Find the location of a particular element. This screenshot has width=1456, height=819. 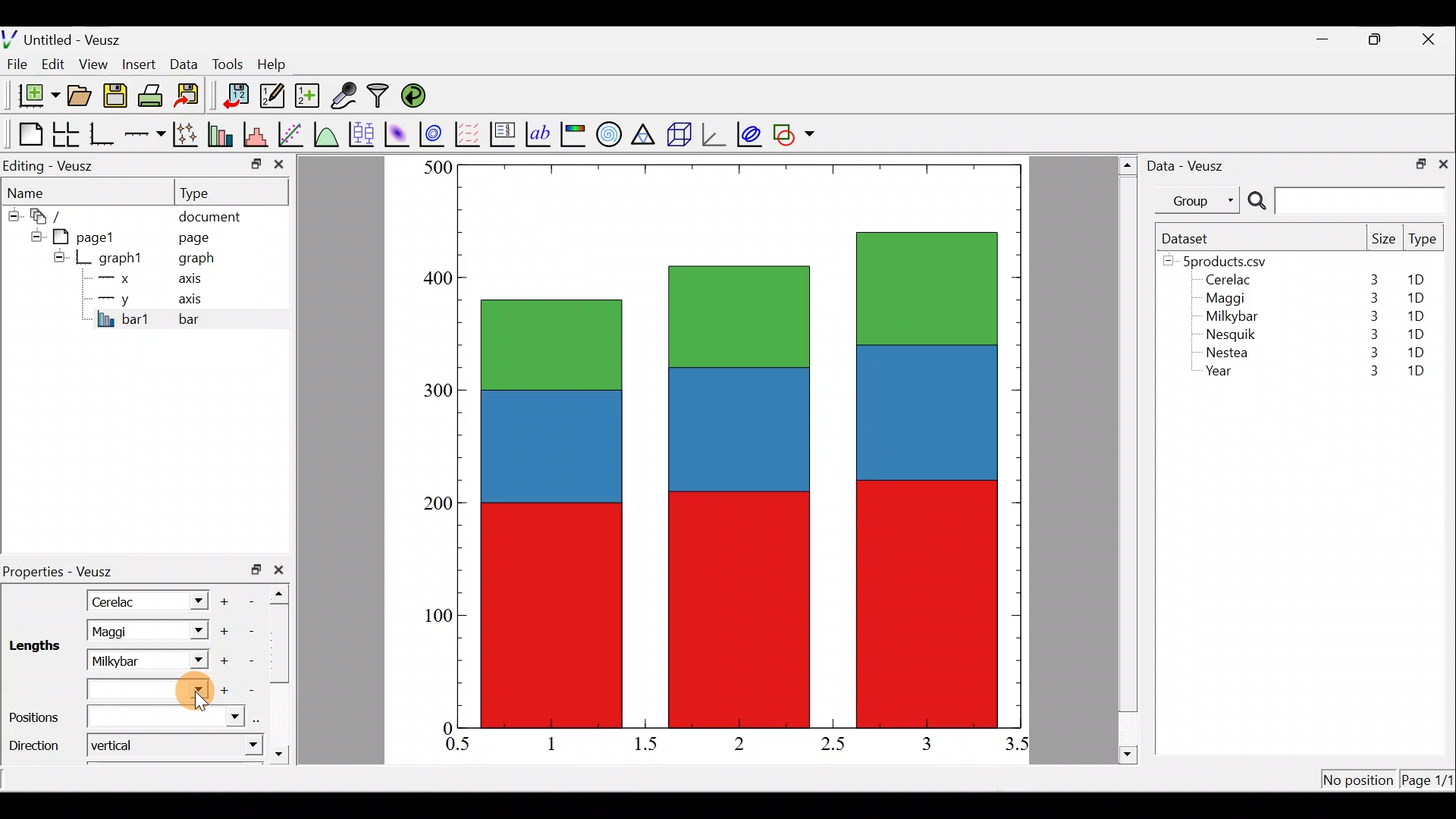

select using dataset browser is located at coordinates (260, 717).